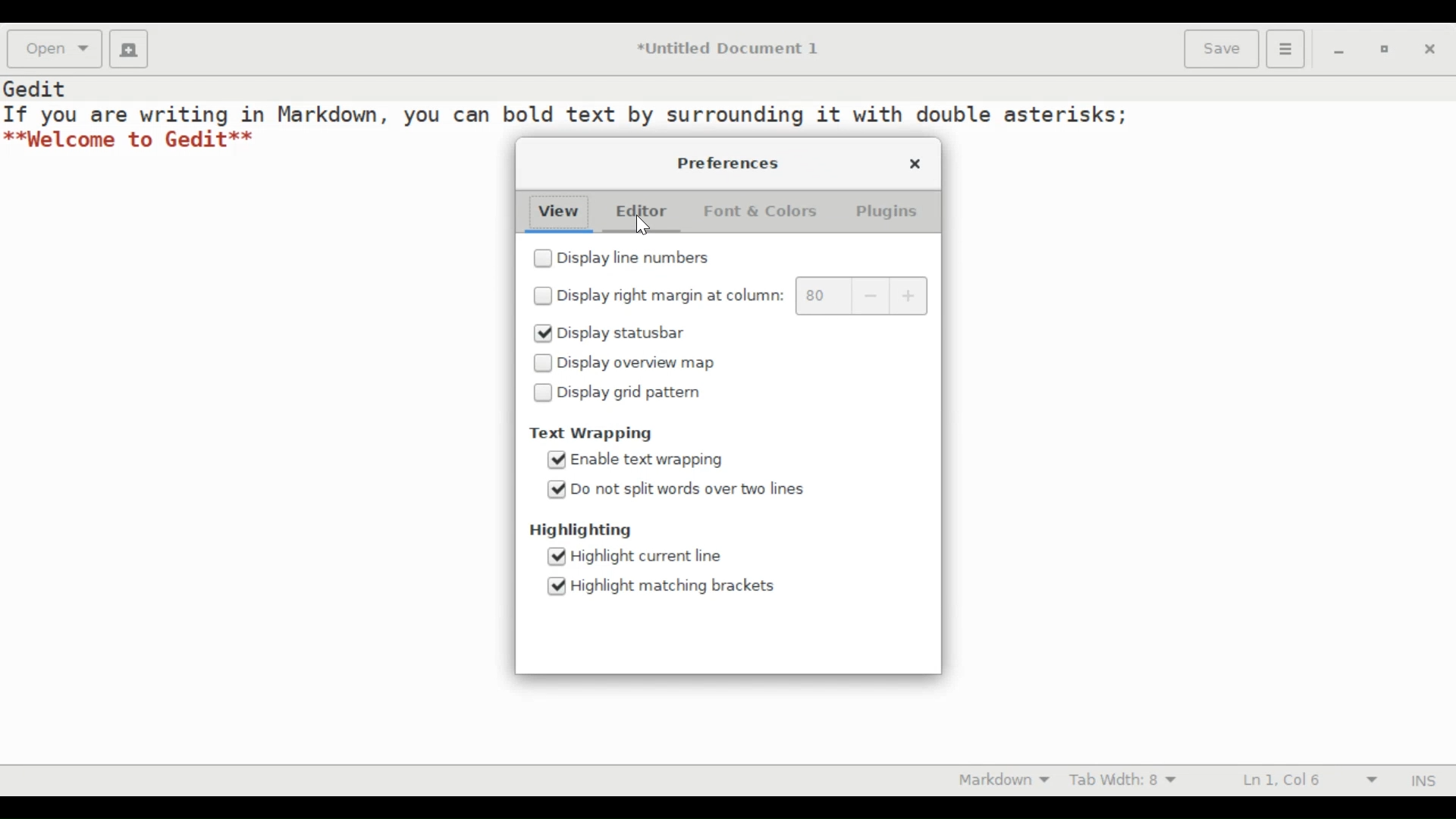 Image resolution: width=1456 pixels, height=819 pixels. I want to click on Open, so click(52, 50).